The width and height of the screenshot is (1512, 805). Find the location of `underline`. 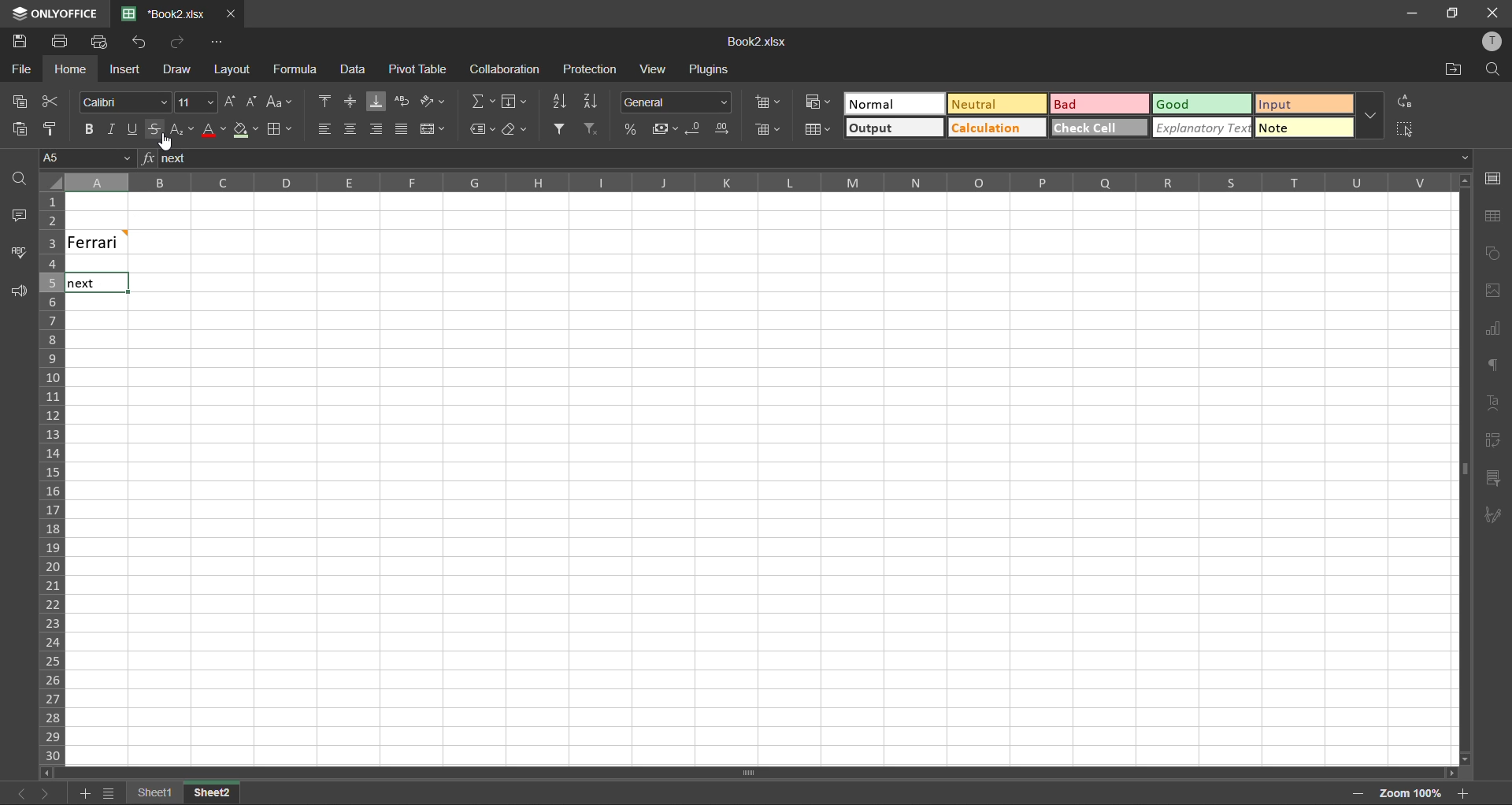

underline is located at coordinates (133, 129).